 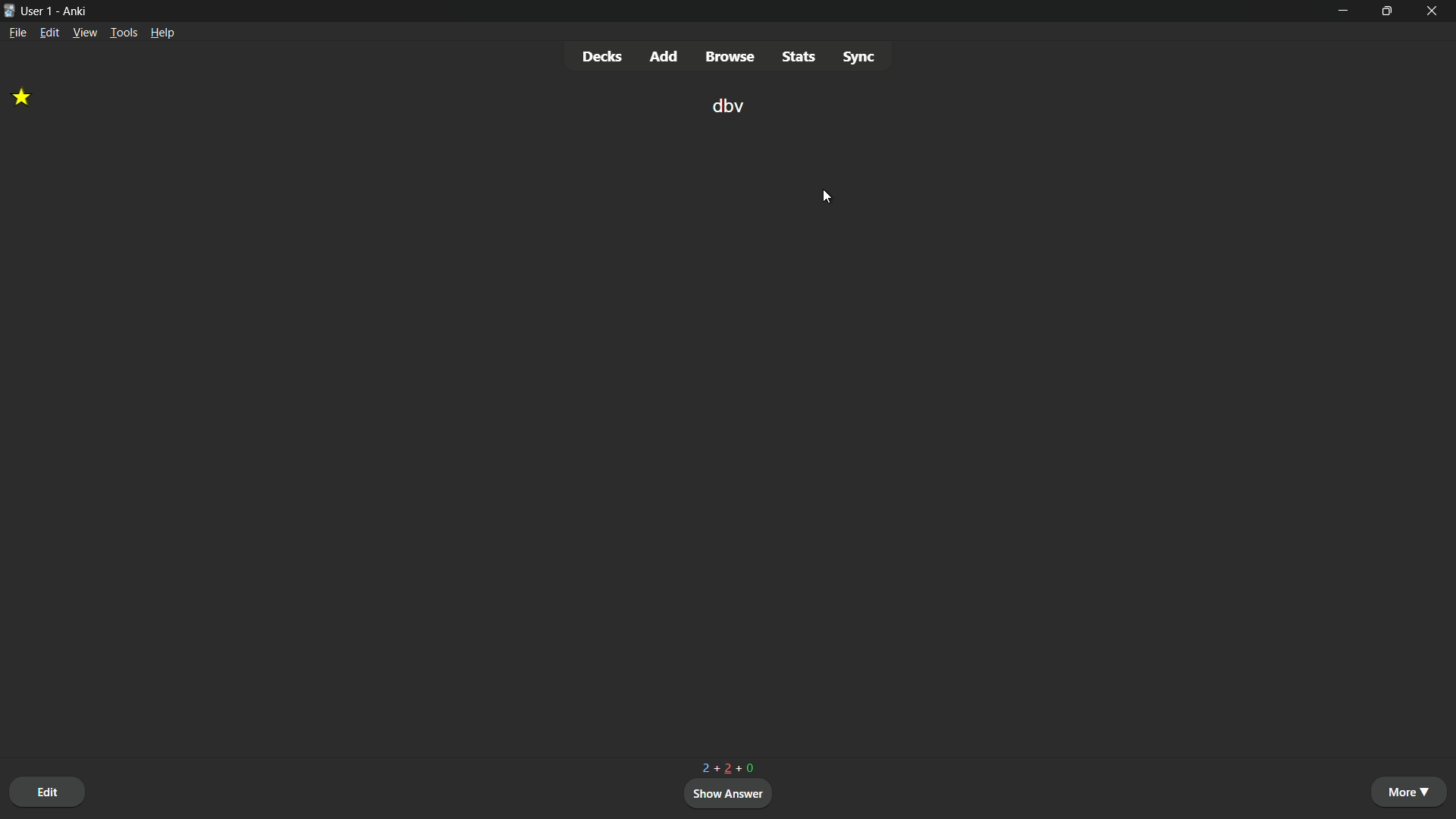 What do you see at coordinates (1433, 11) in the screenshot?
I see `close app` at bounding box center [1433, 11].